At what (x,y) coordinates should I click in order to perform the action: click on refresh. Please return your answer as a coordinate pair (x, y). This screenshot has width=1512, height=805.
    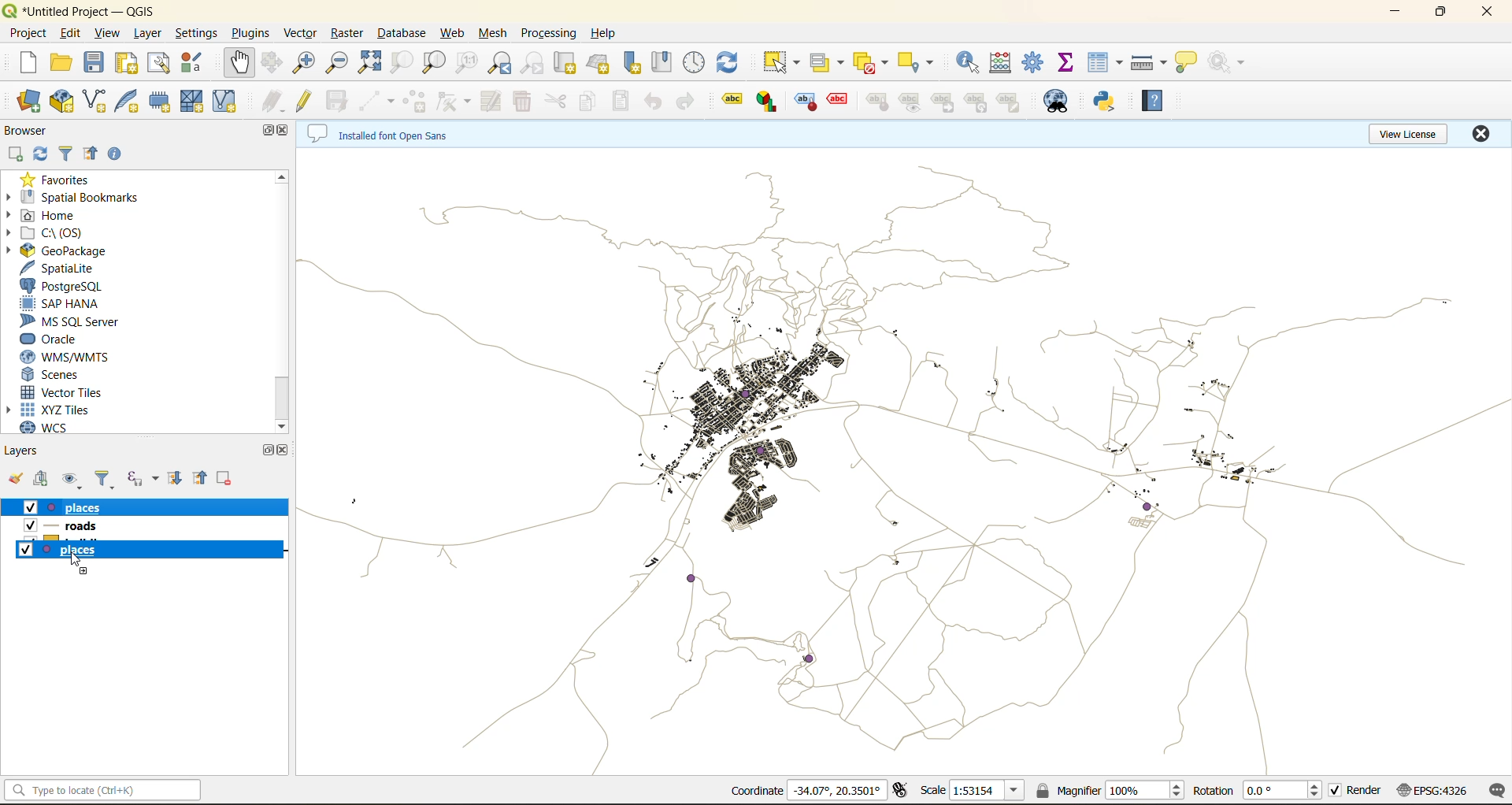
    Looking at the image, I should click on (730, 61).